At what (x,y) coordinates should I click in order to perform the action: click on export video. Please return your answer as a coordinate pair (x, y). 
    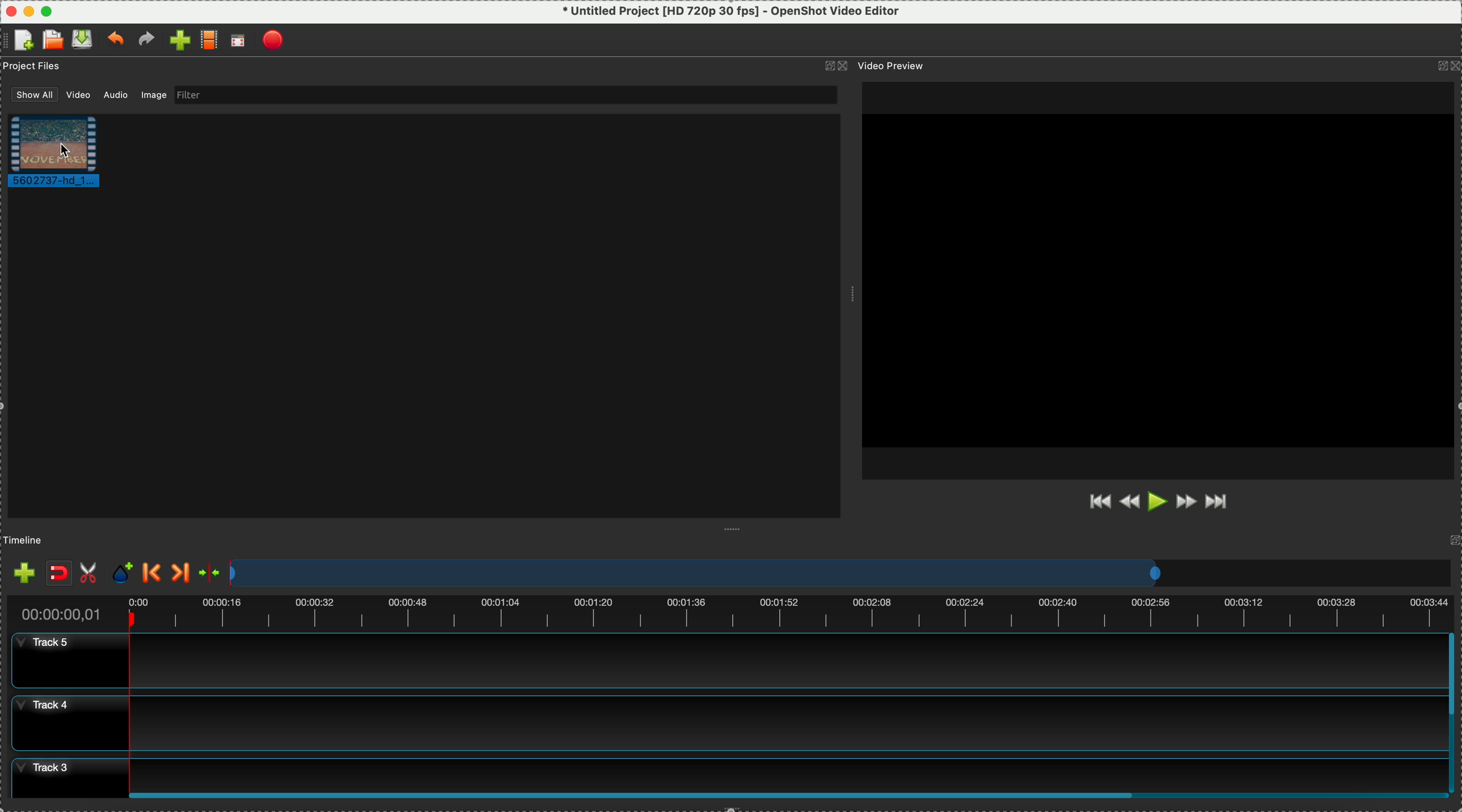
    Looking at the image, I should click on (275, 40).